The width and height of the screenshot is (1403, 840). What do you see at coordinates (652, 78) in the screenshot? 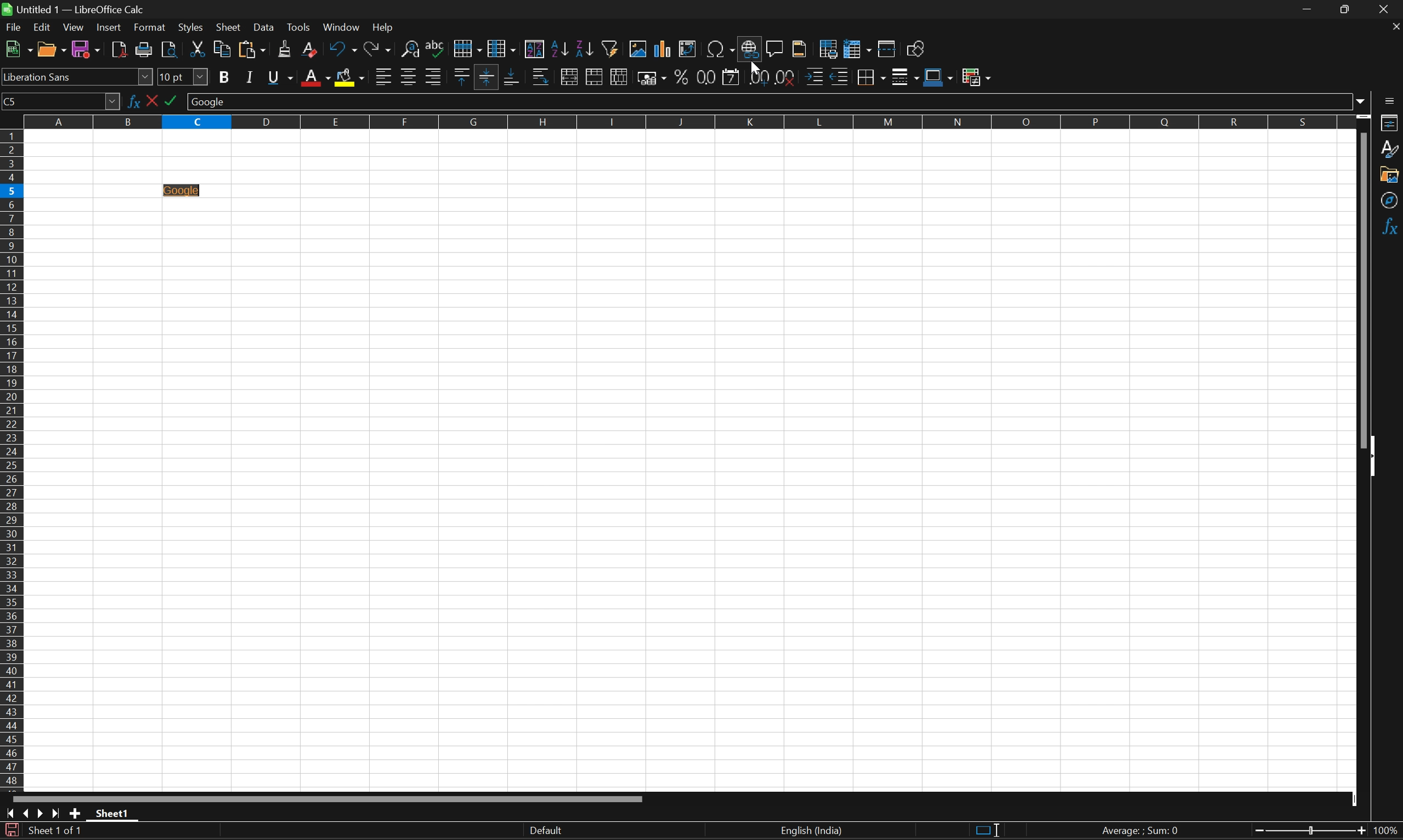
I see `Format as currency` at bounding box center [652, 78].